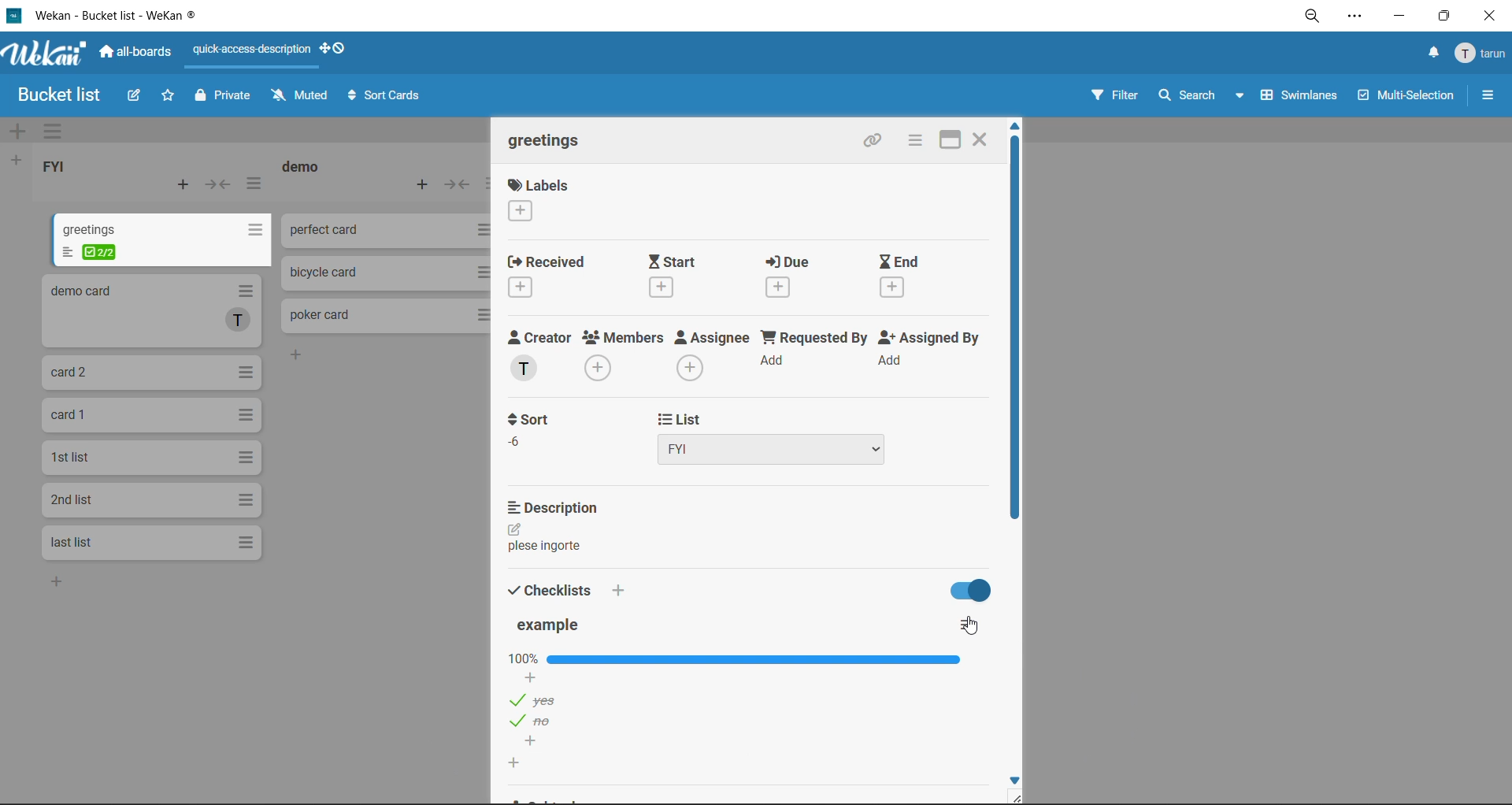 The width and height of the screenshot is (1512, 805). I want to click on multiselection, so click(1406, 97).